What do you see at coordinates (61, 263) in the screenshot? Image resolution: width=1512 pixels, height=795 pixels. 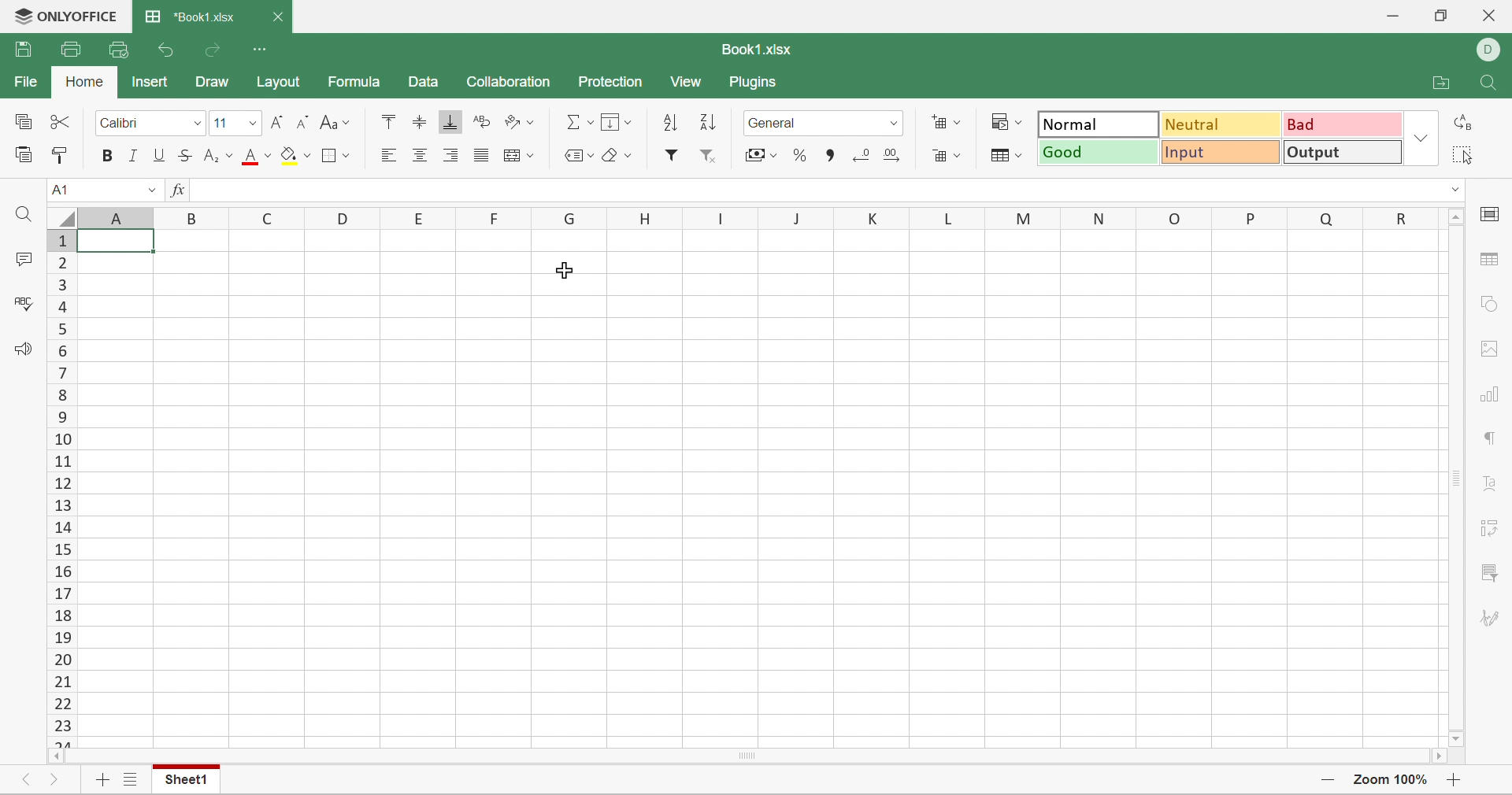 I see `2` at bounding box center [61, 263].